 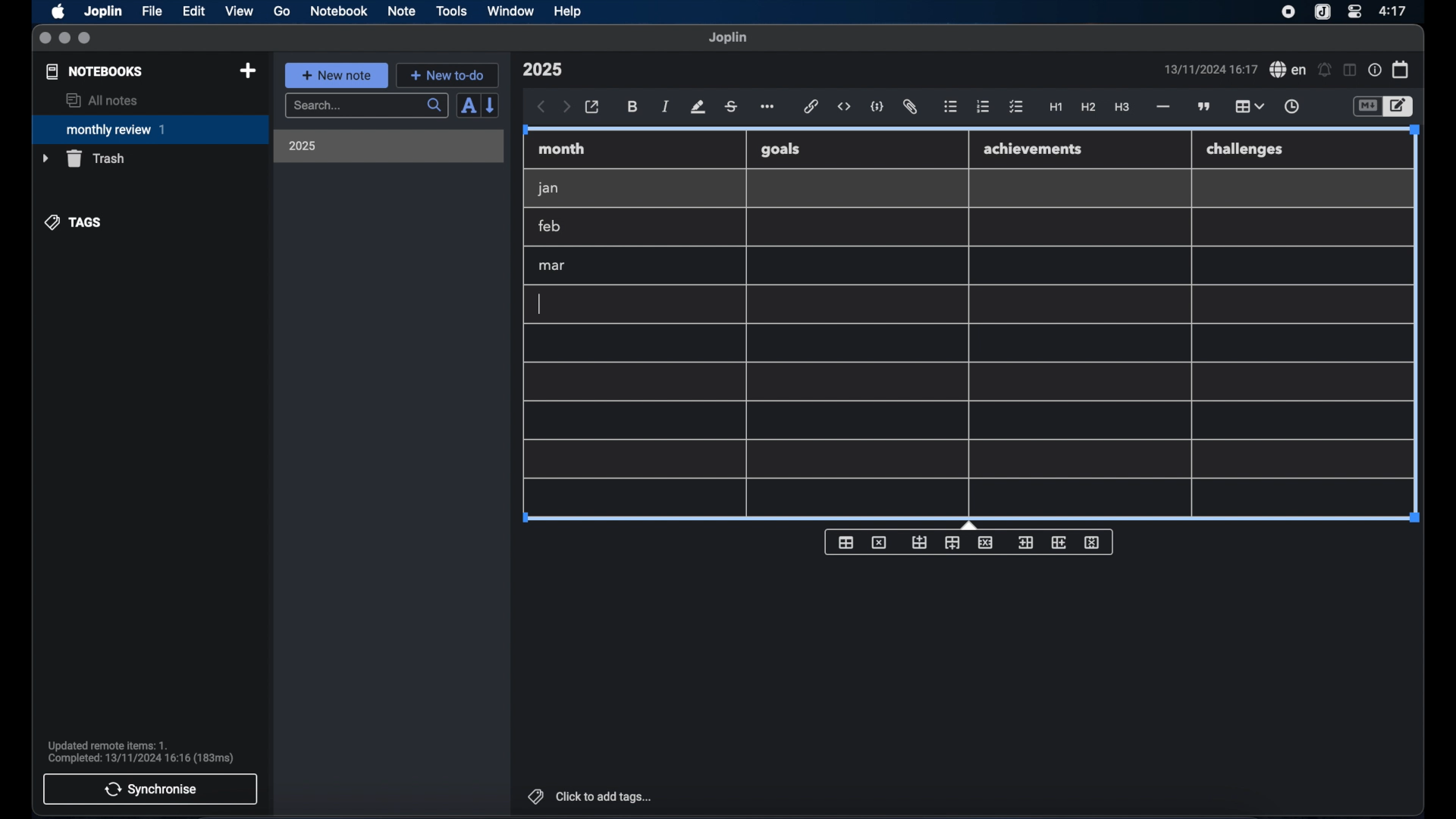 What do you see at coordinates (987, 541) in the screenshot?
I see `delete row` at bounding box center [987, 541].